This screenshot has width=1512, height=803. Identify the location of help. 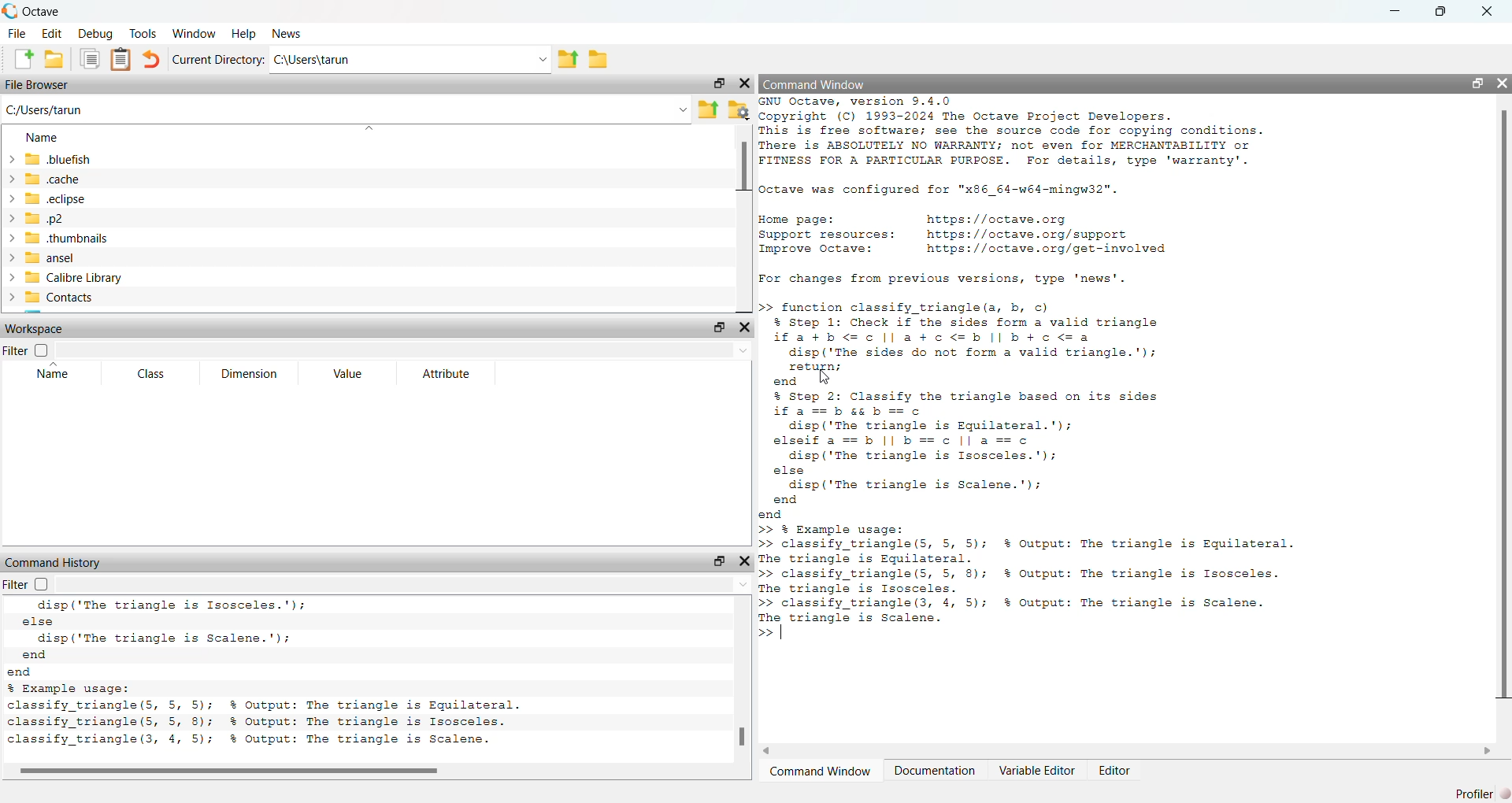
(244, 33).